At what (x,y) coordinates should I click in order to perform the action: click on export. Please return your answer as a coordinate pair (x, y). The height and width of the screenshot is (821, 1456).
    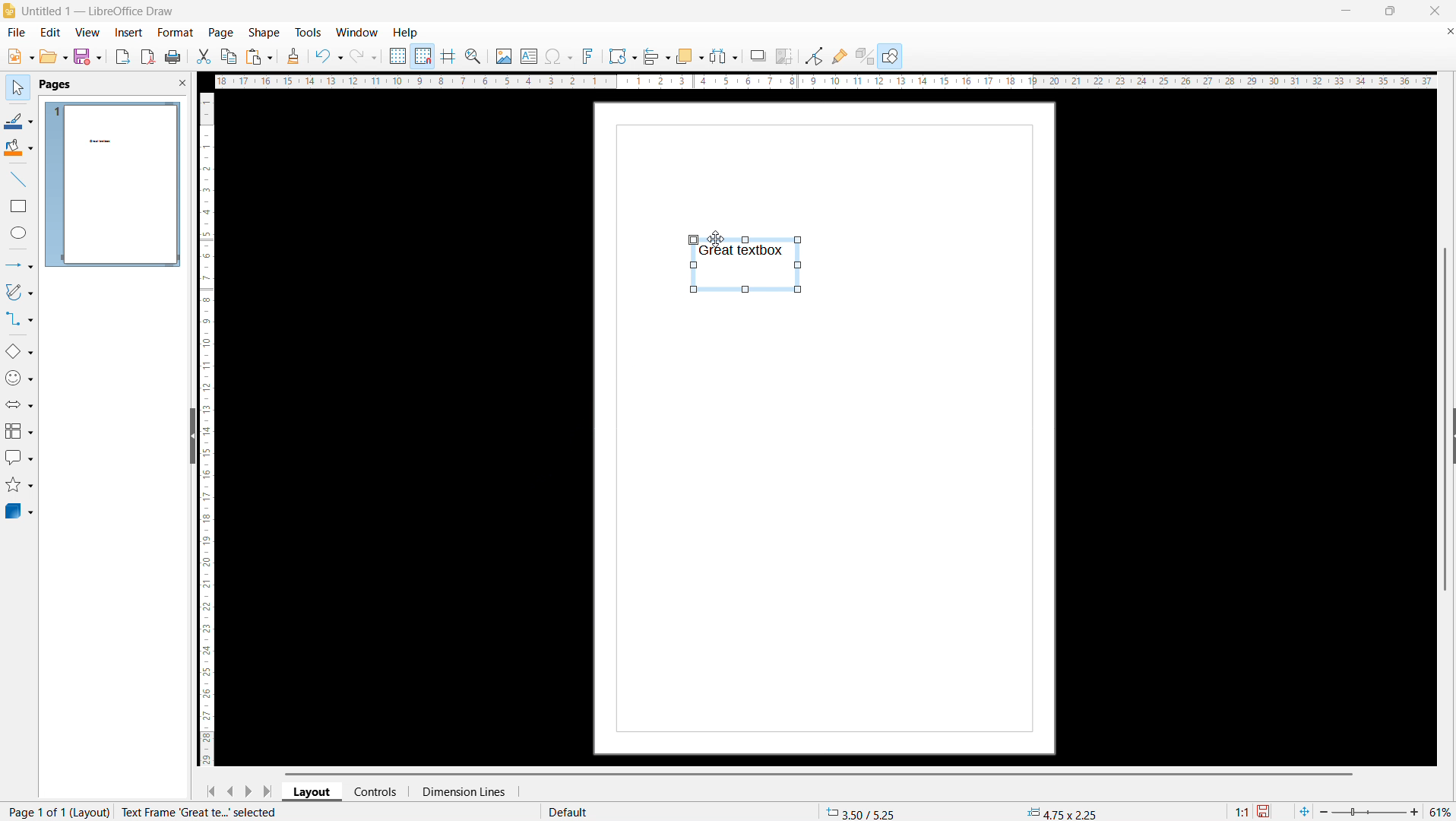
    Looking at the image, I should click on (123, 56).